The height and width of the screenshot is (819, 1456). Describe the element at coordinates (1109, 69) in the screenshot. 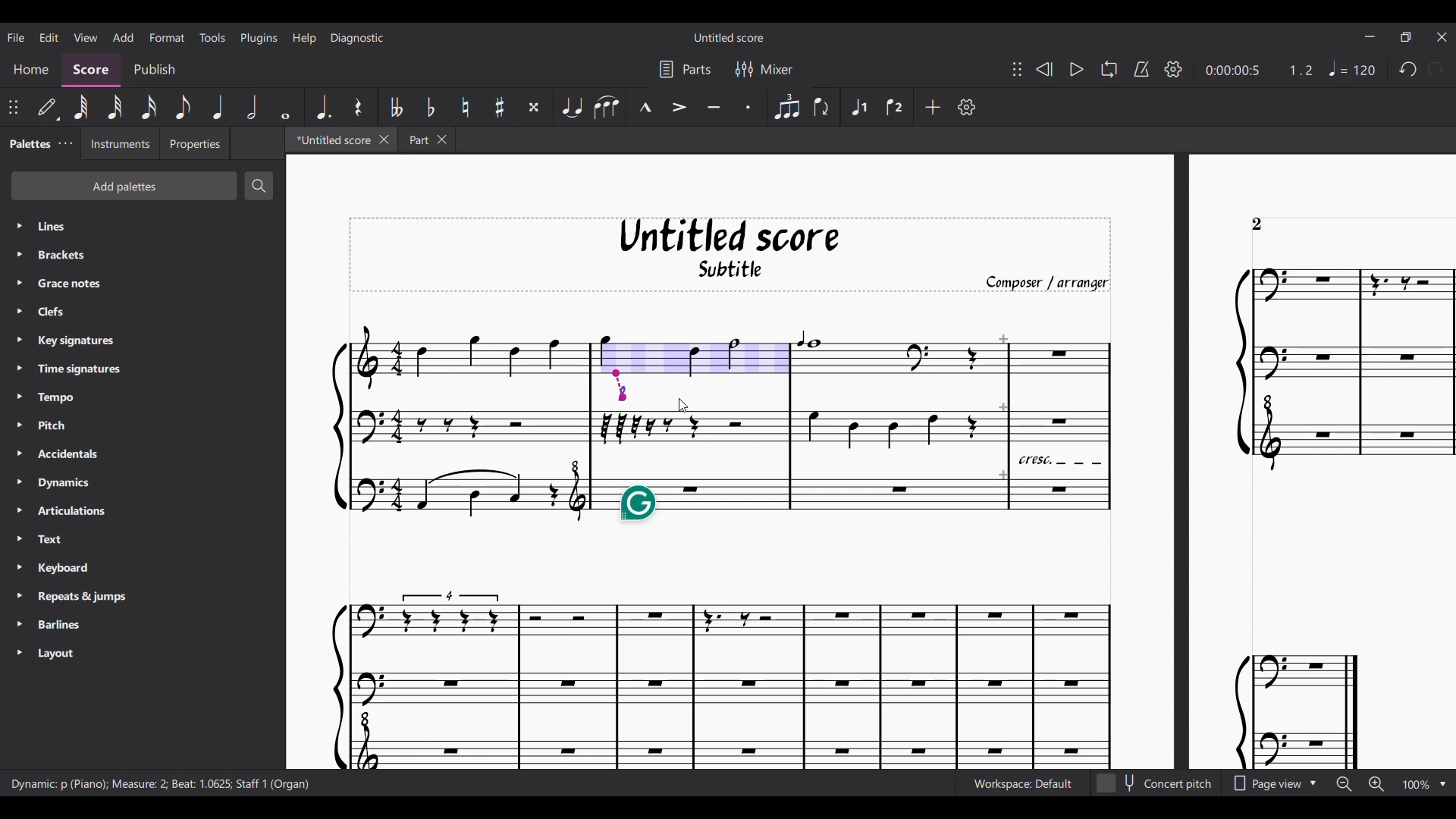

I see `Looping playback` at that location.